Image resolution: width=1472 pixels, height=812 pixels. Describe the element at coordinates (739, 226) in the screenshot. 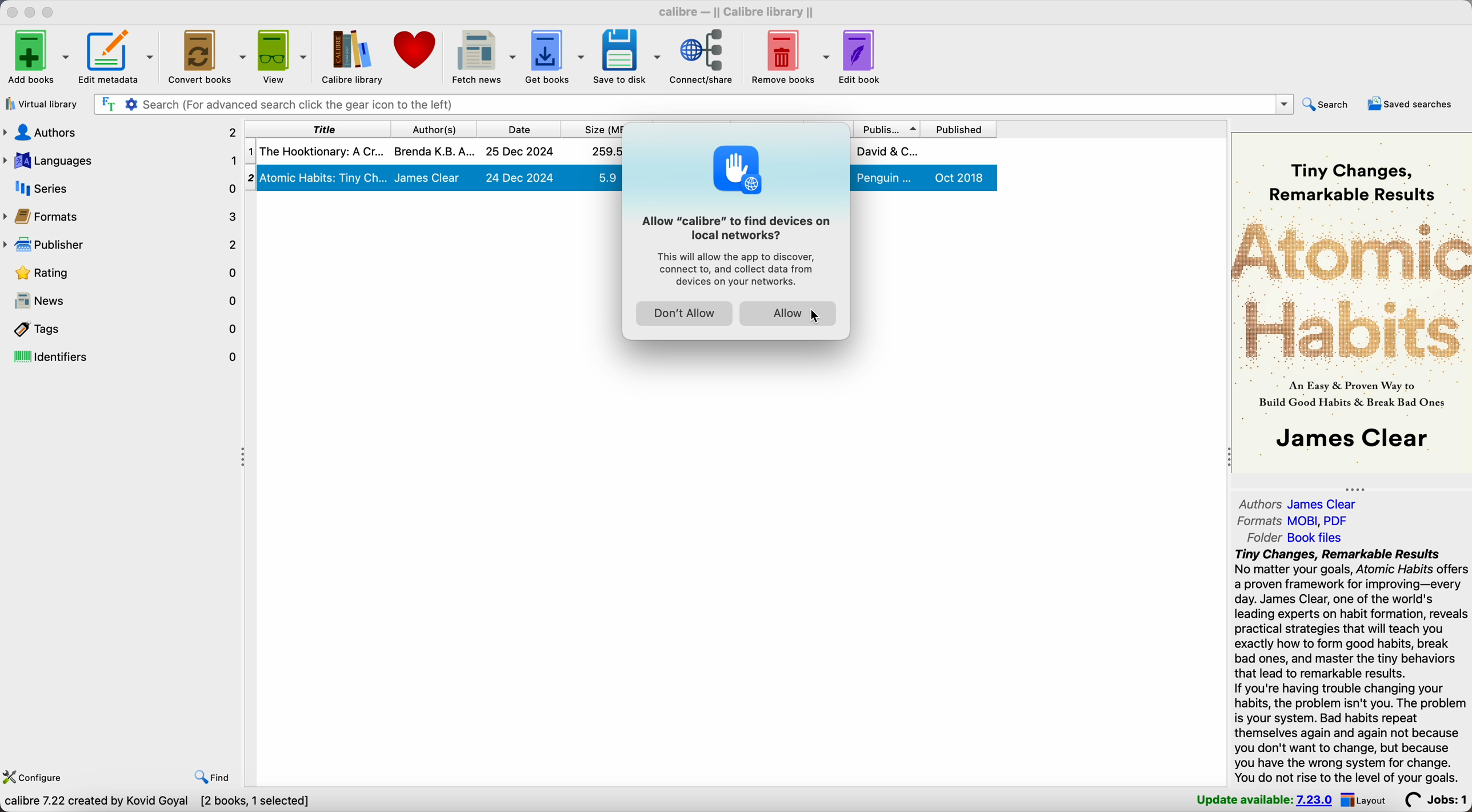

I see `Allow "calibre" to find devices on loacal network?` at that location.